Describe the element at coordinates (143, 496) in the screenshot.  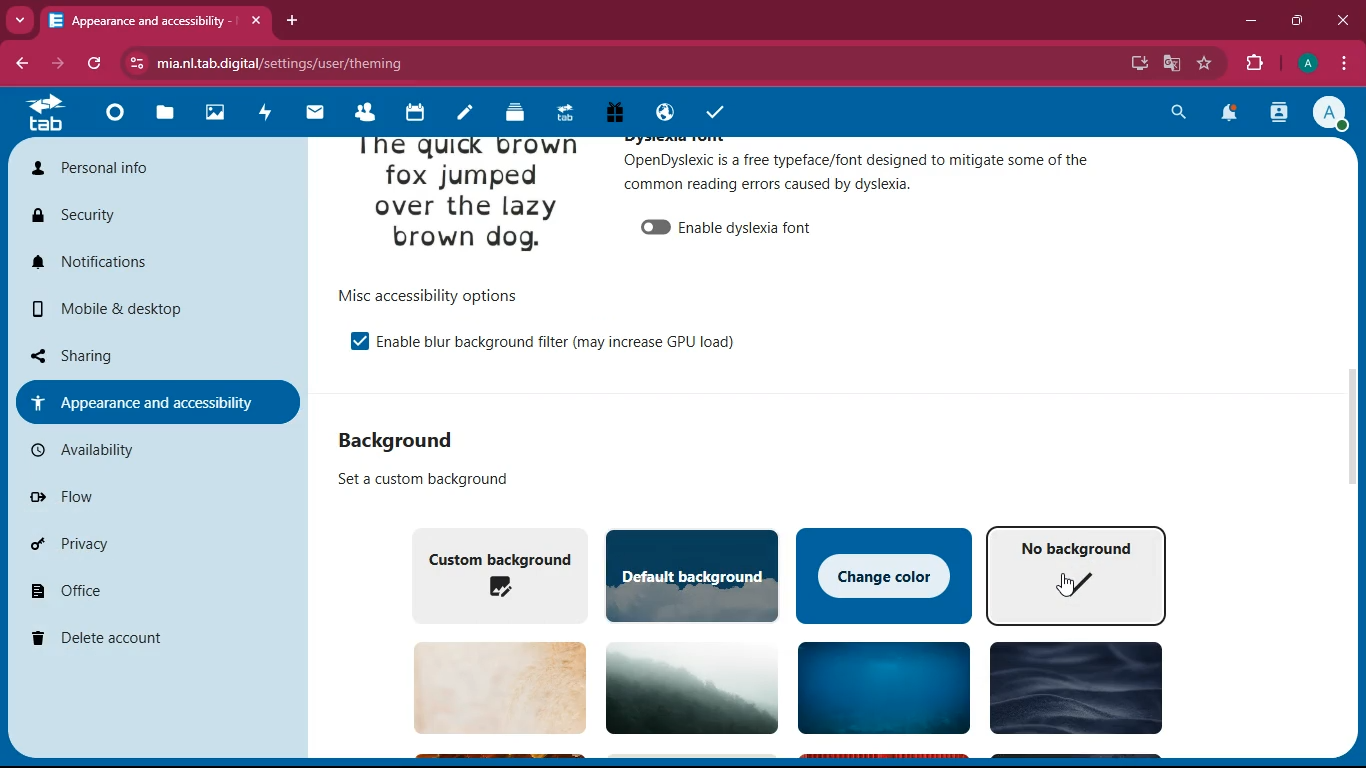
I see `flow` at that location.